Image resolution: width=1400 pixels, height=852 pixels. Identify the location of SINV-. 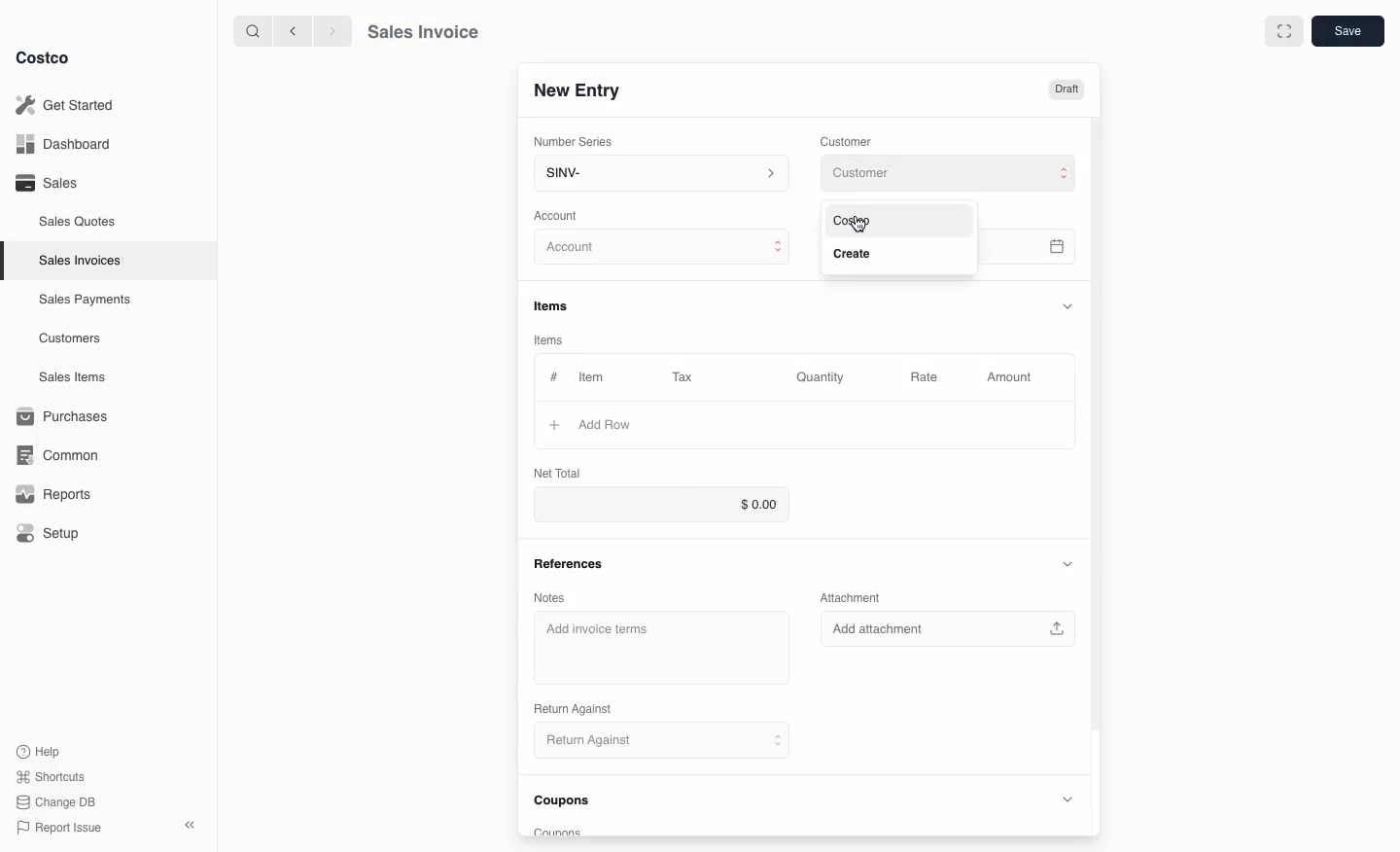
(657, 175).